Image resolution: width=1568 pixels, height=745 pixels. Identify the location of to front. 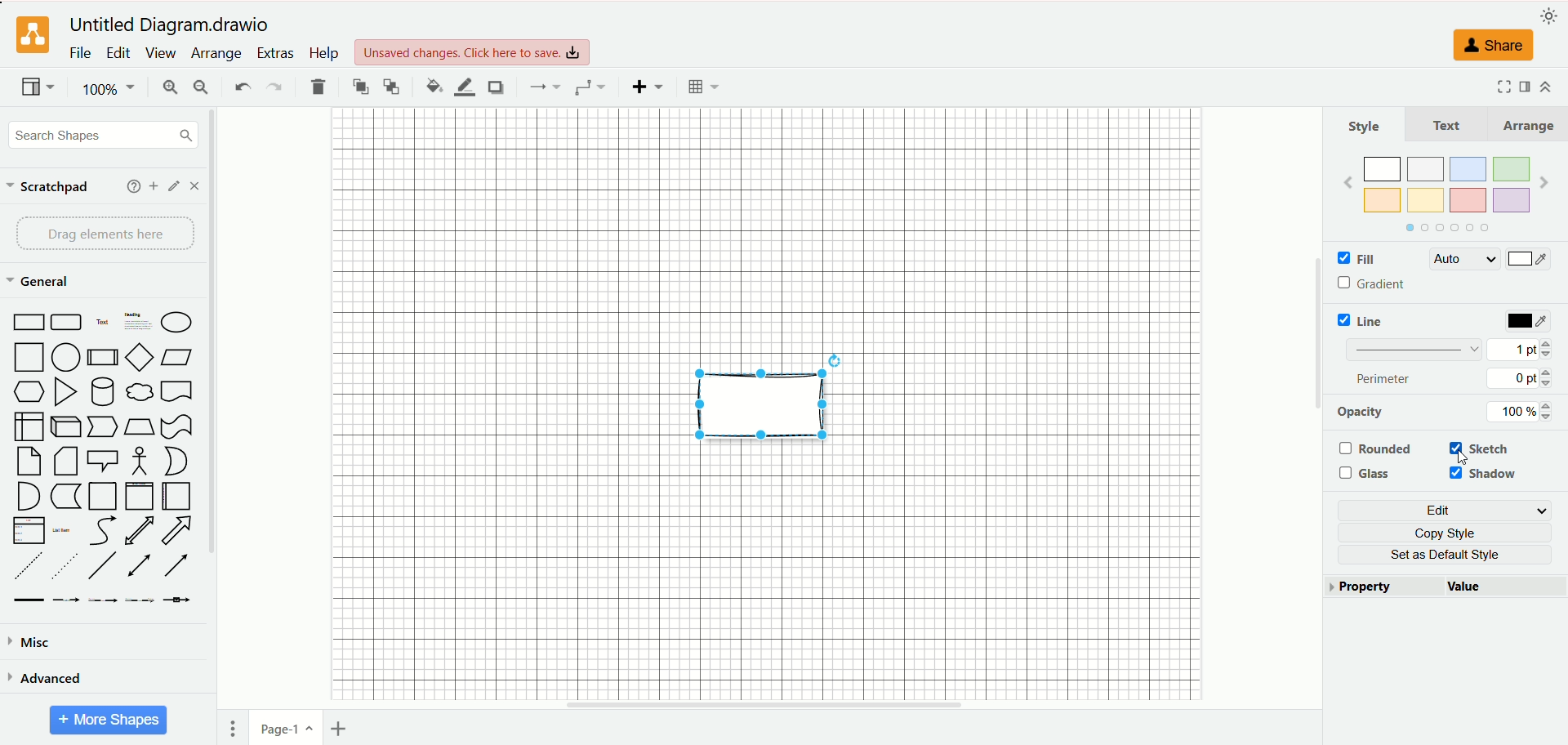
(362, 86).